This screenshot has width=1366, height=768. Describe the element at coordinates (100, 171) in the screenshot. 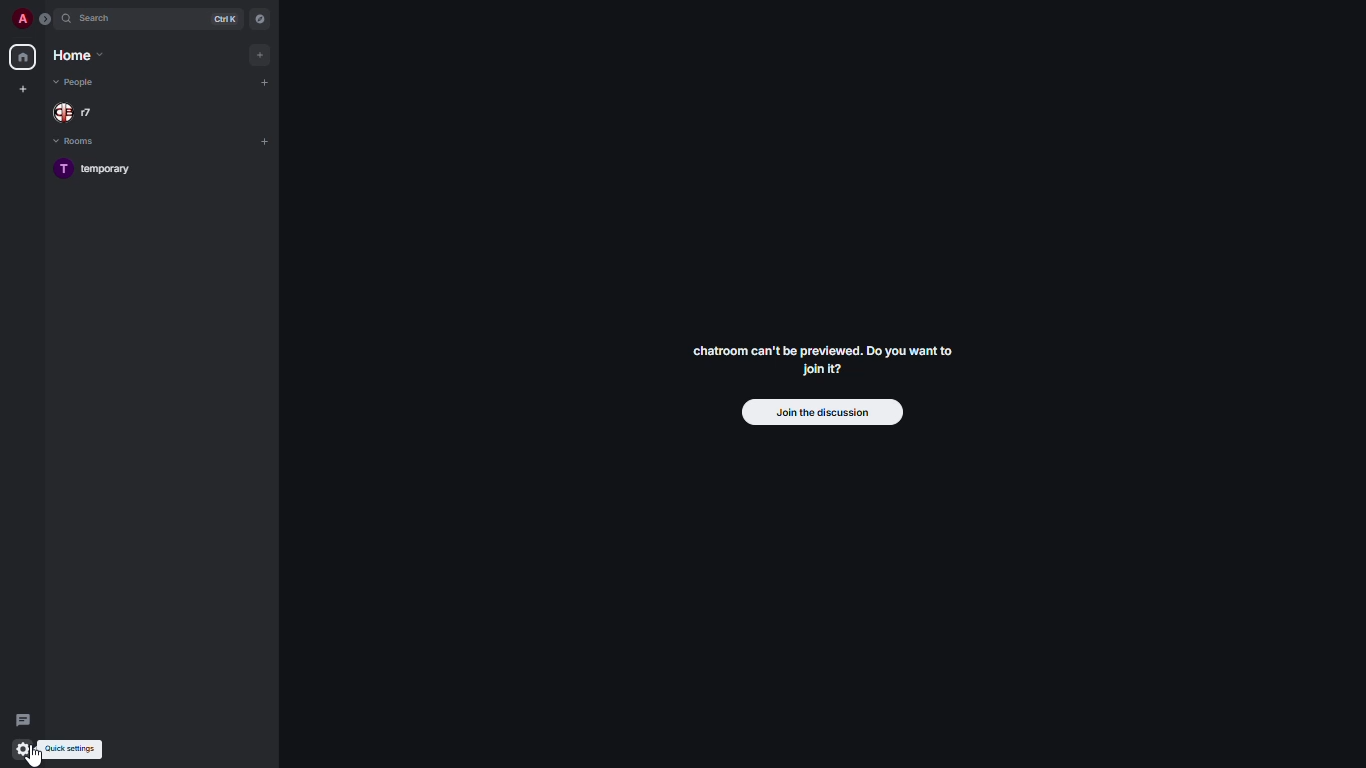

I see `T temporary` at that location.